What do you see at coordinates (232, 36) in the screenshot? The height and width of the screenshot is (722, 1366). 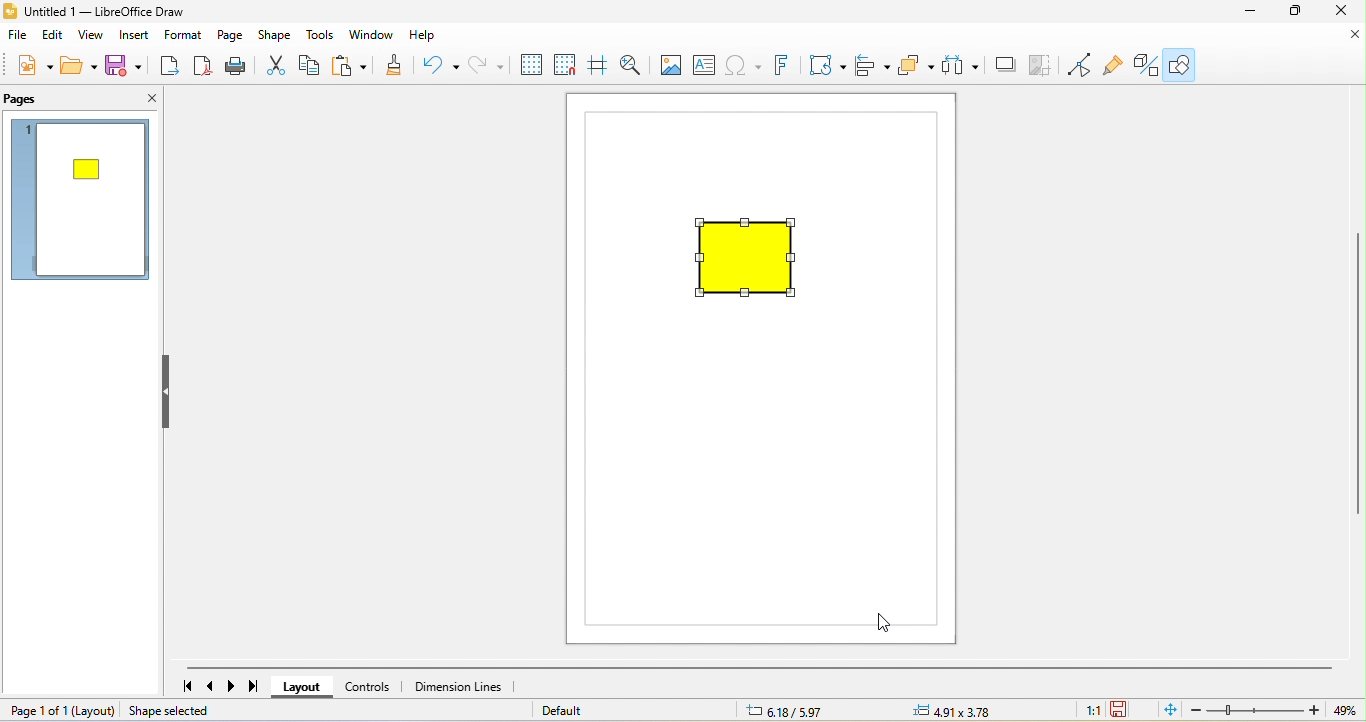 I see `page` at bounding box center [232, 36].